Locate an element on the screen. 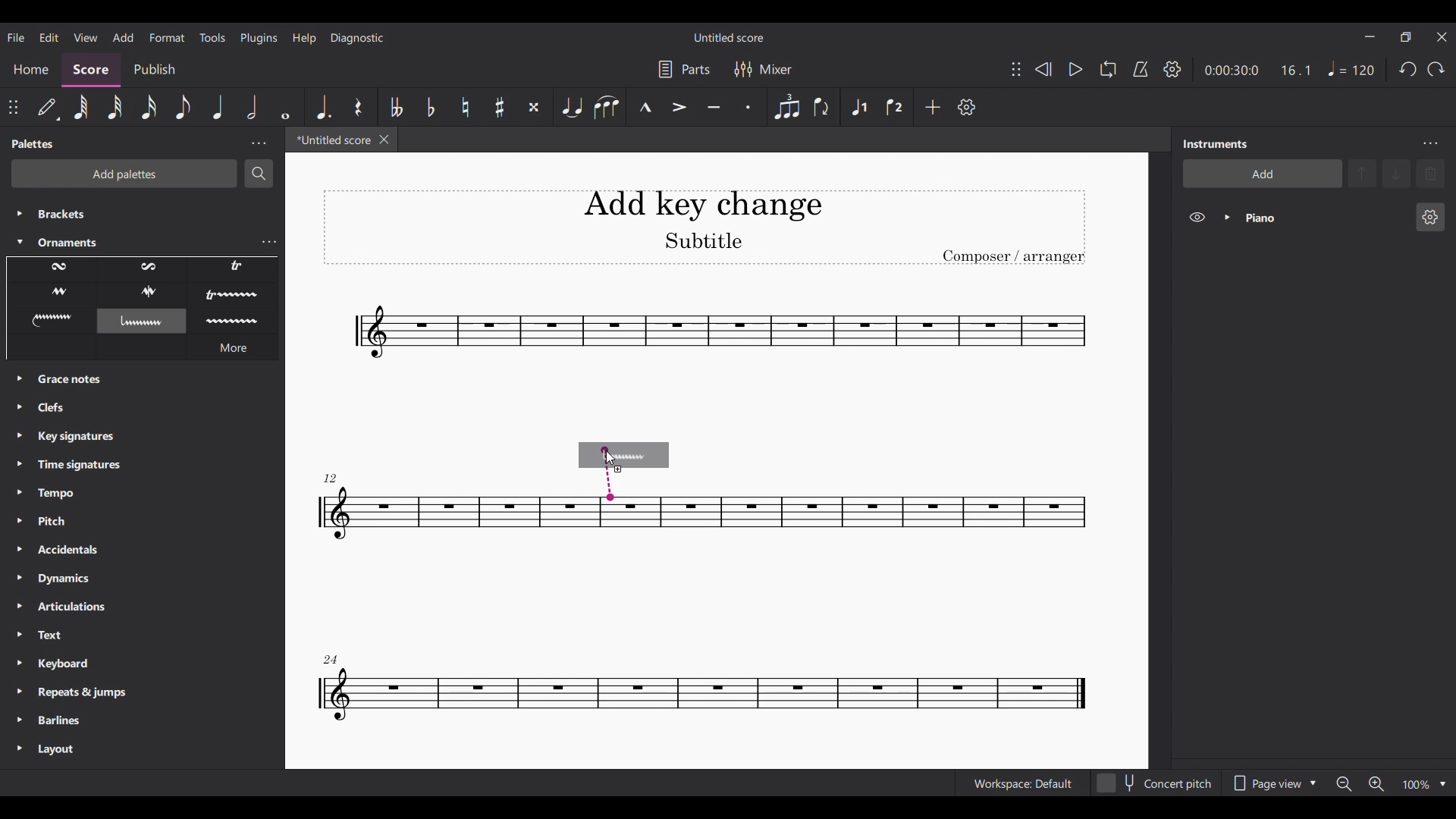 The image size is (1456, 819). Toggle flat is located at coordinates (431, 108).